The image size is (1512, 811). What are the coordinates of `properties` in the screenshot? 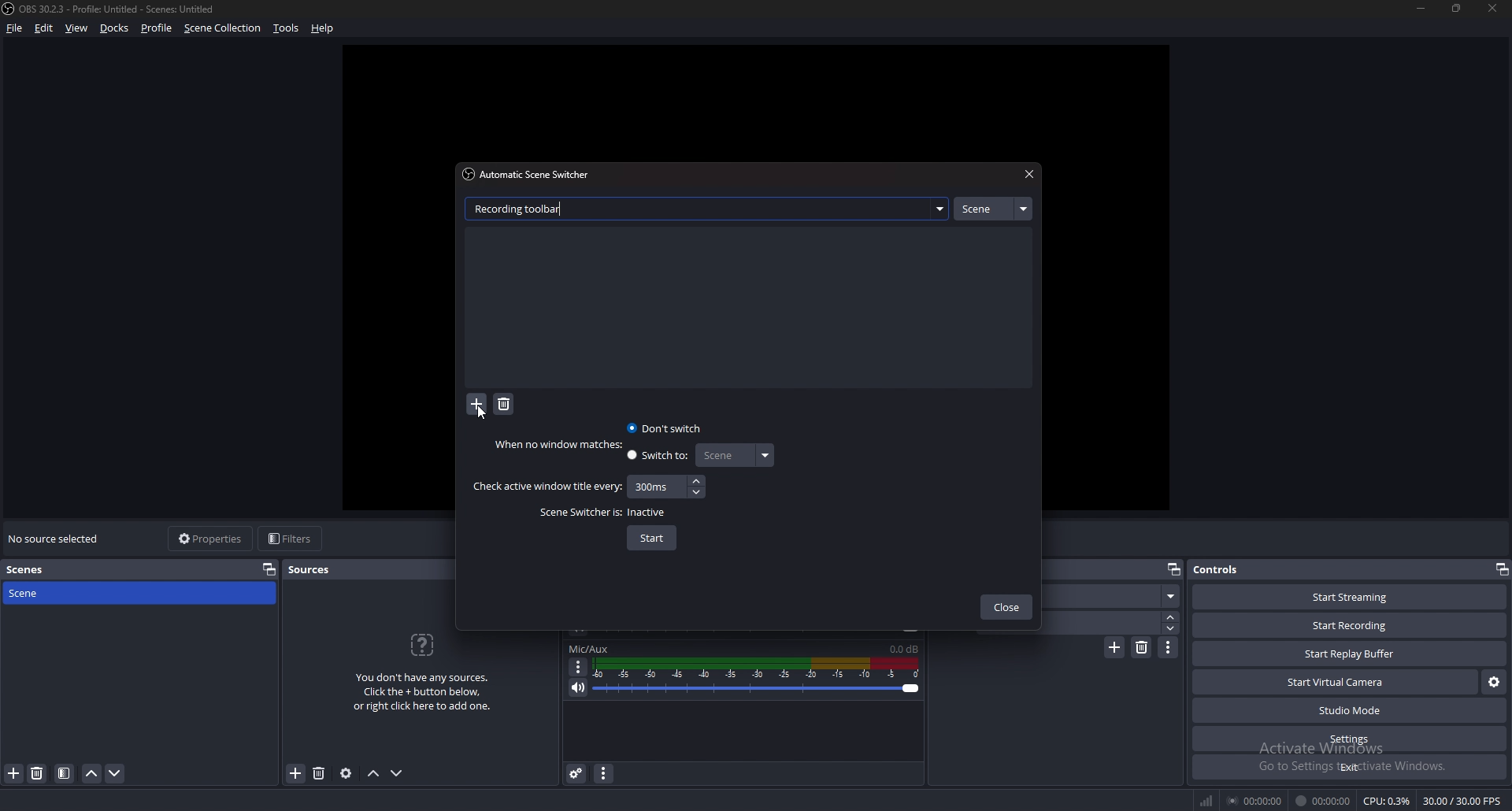 It's located at (212, 539).